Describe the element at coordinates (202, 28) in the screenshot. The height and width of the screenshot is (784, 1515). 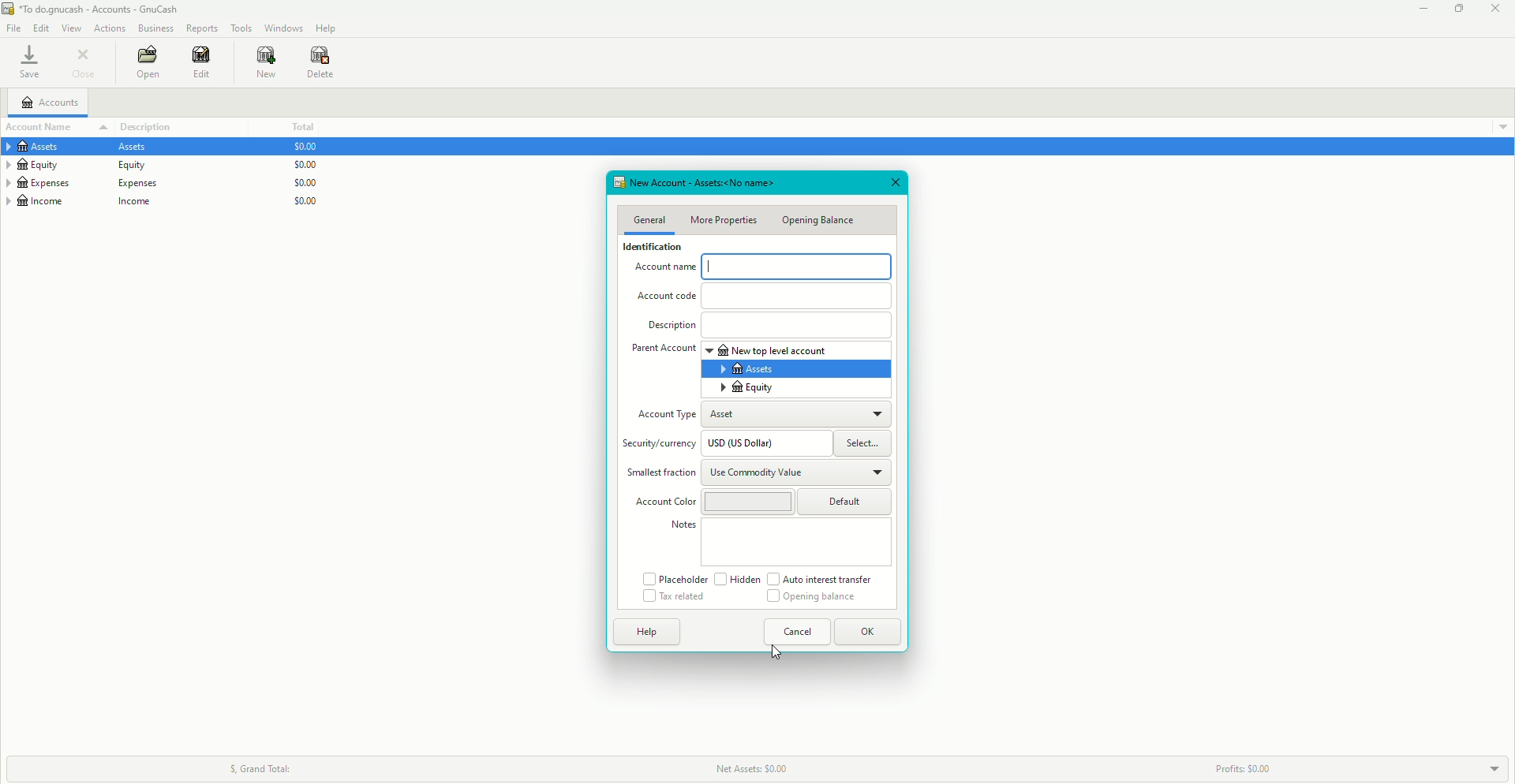
I see `Reports` at that location.